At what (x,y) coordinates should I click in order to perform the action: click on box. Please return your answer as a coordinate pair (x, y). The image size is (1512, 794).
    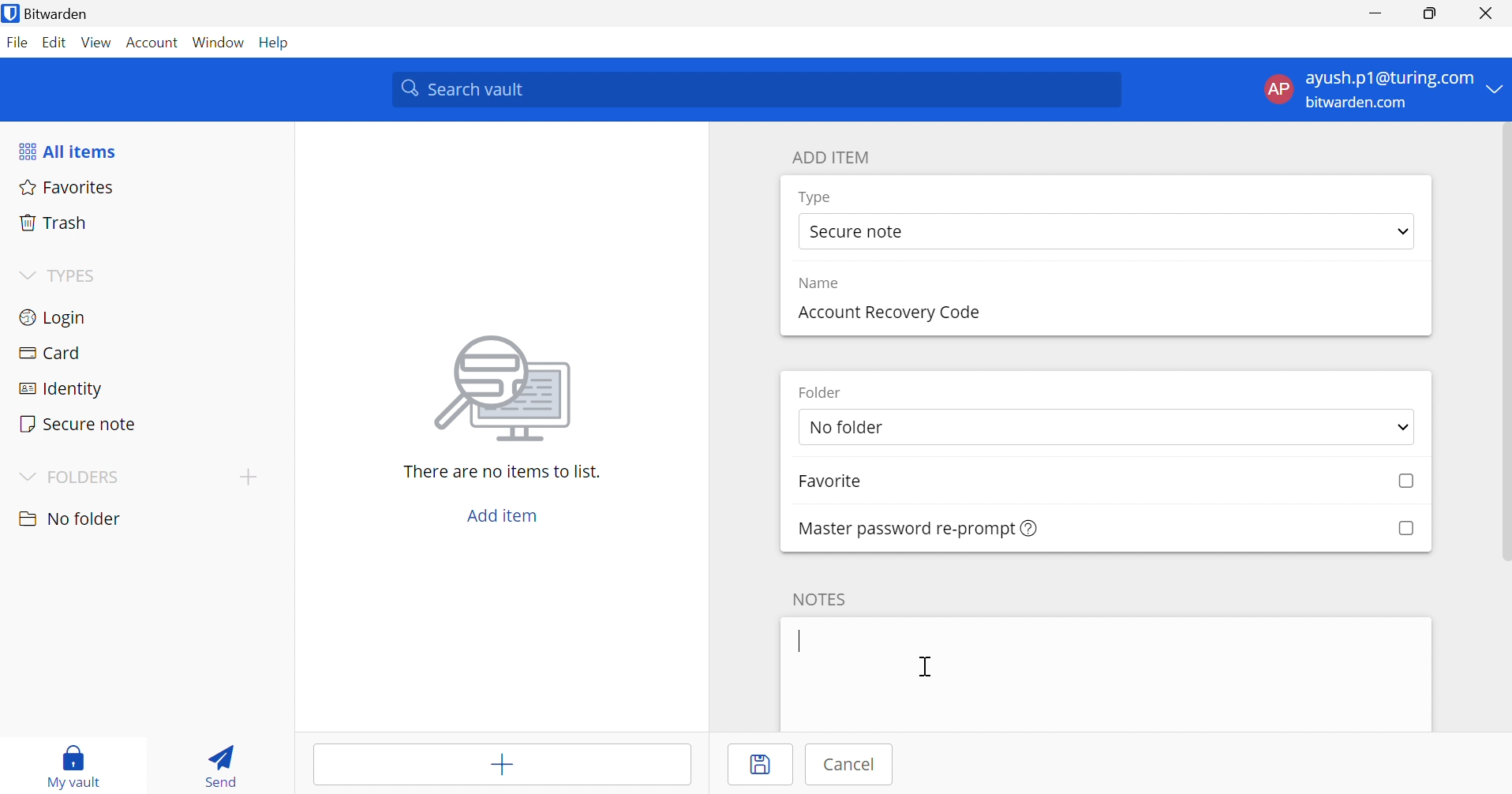
    Looking at the image, I should click on (1399, 482).